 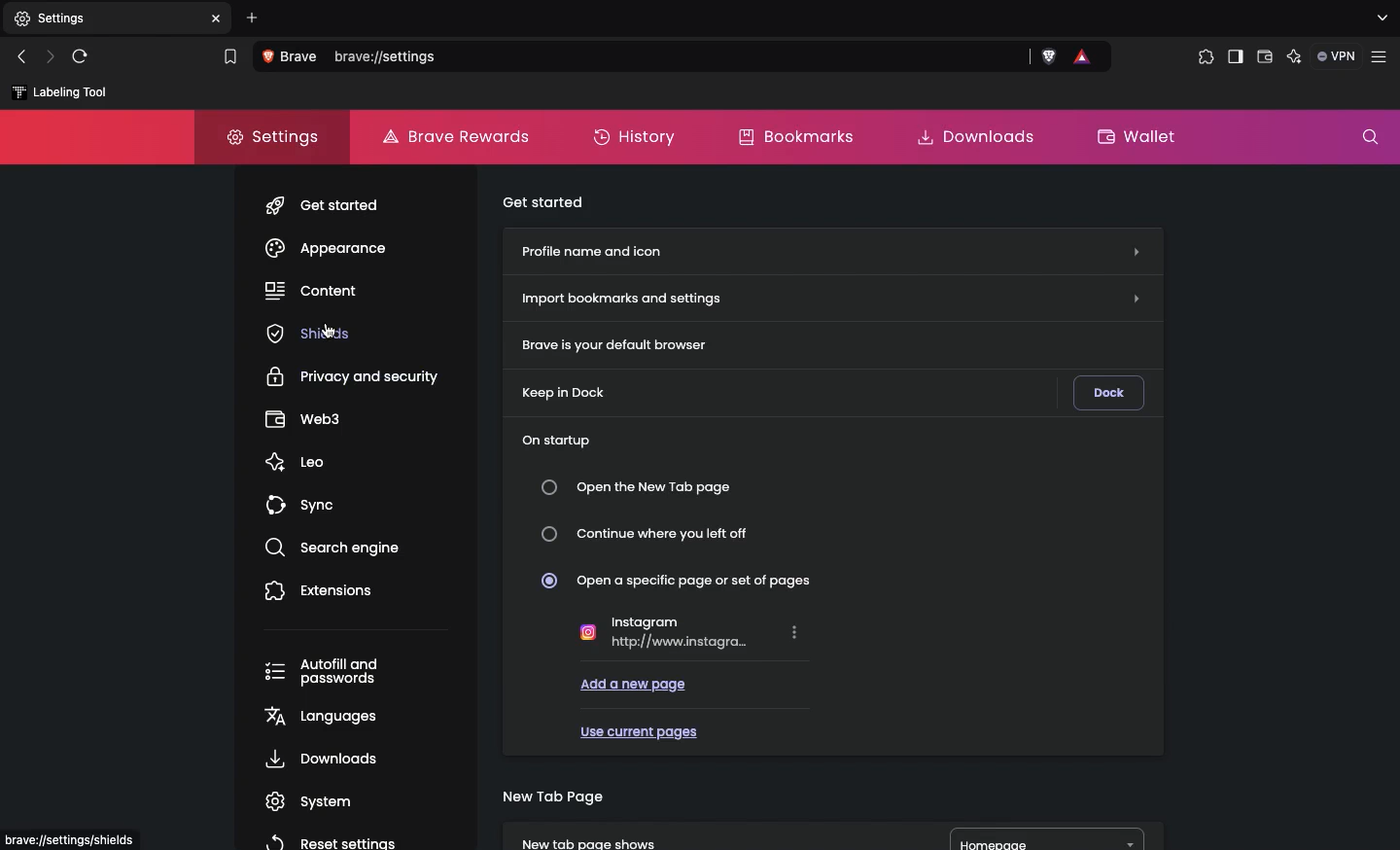 I want to click on Search settings, so click(x=1369, y=134).